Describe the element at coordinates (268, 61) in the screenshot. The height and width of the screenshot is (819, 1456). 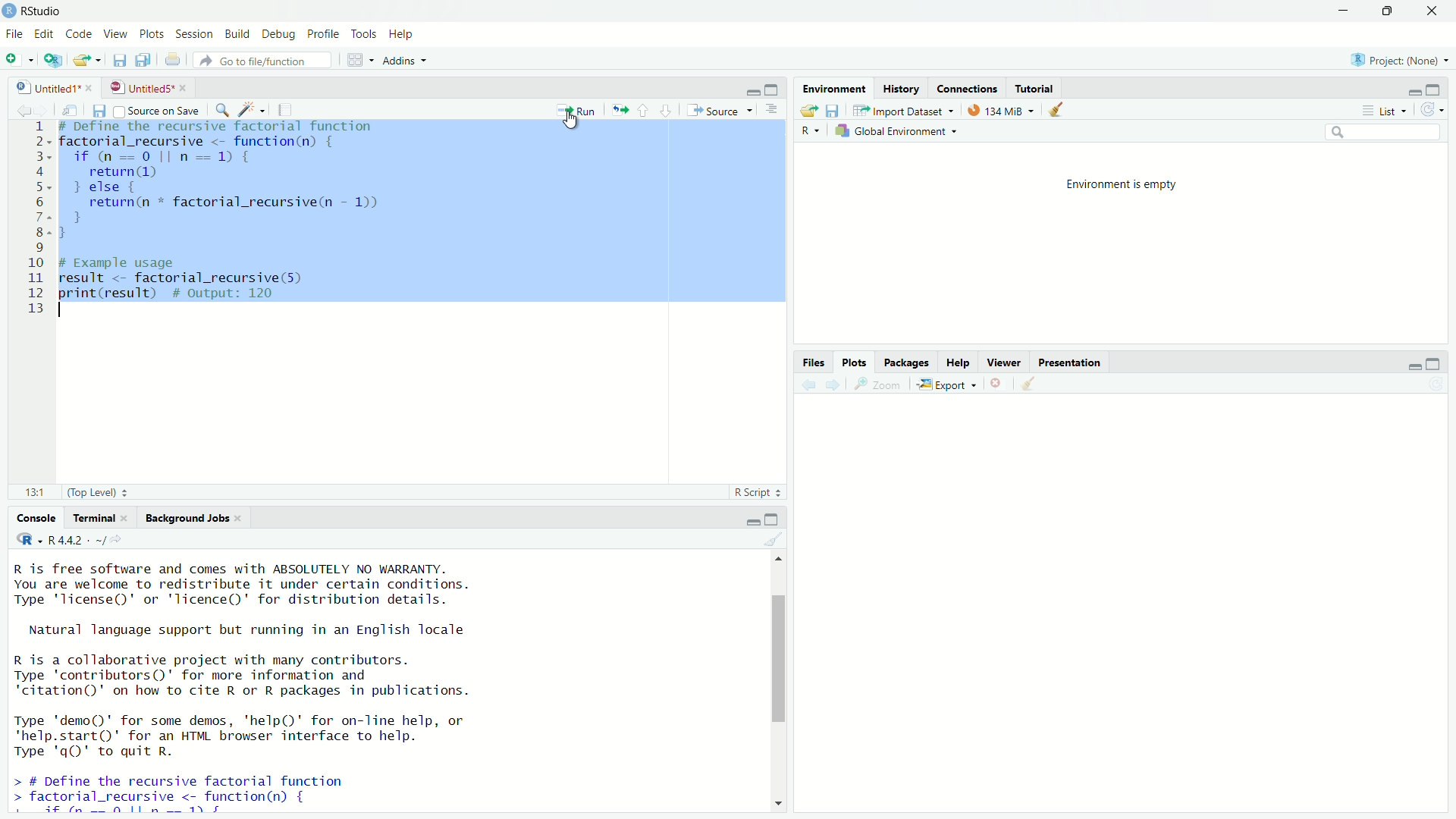
I see `Go to file/function` at that location.